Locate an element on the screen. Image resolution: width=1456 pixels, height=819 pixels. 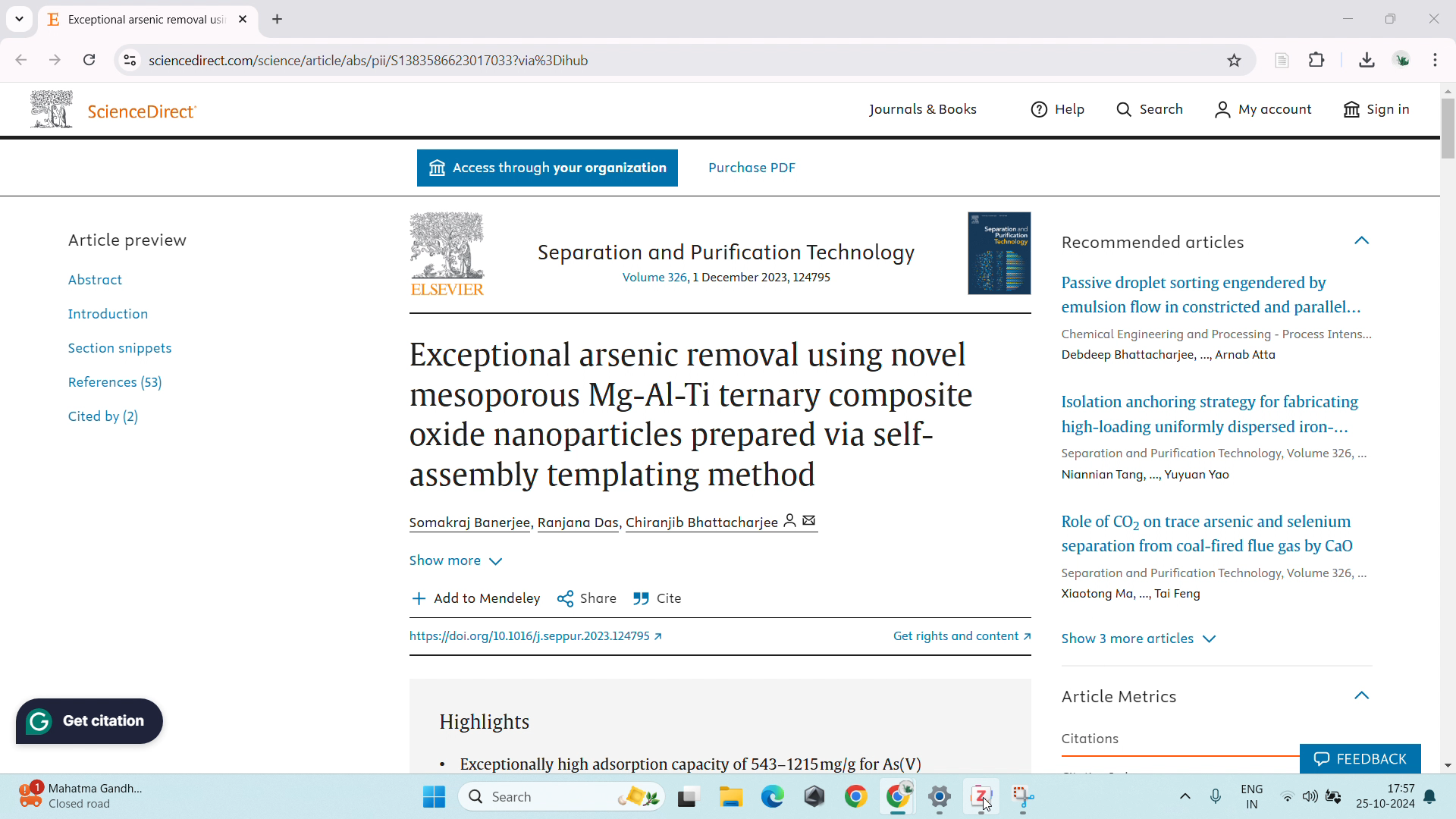
Get rights and content  is located at coordinates (944, 635).